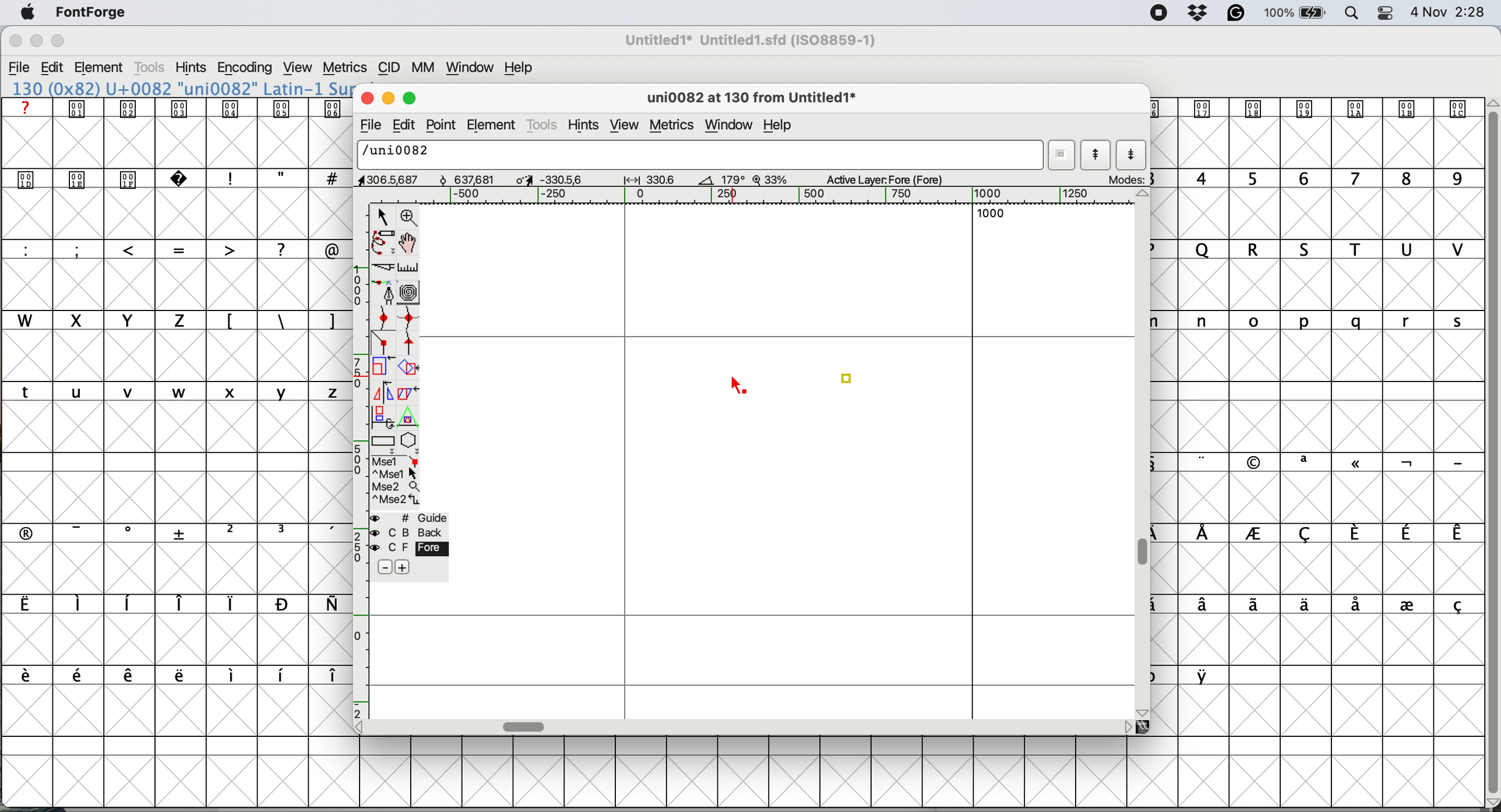  What do you see at coordinates (381, 393) in the screenshot?
I see `flip the selection` at bounding box center [381, 393].